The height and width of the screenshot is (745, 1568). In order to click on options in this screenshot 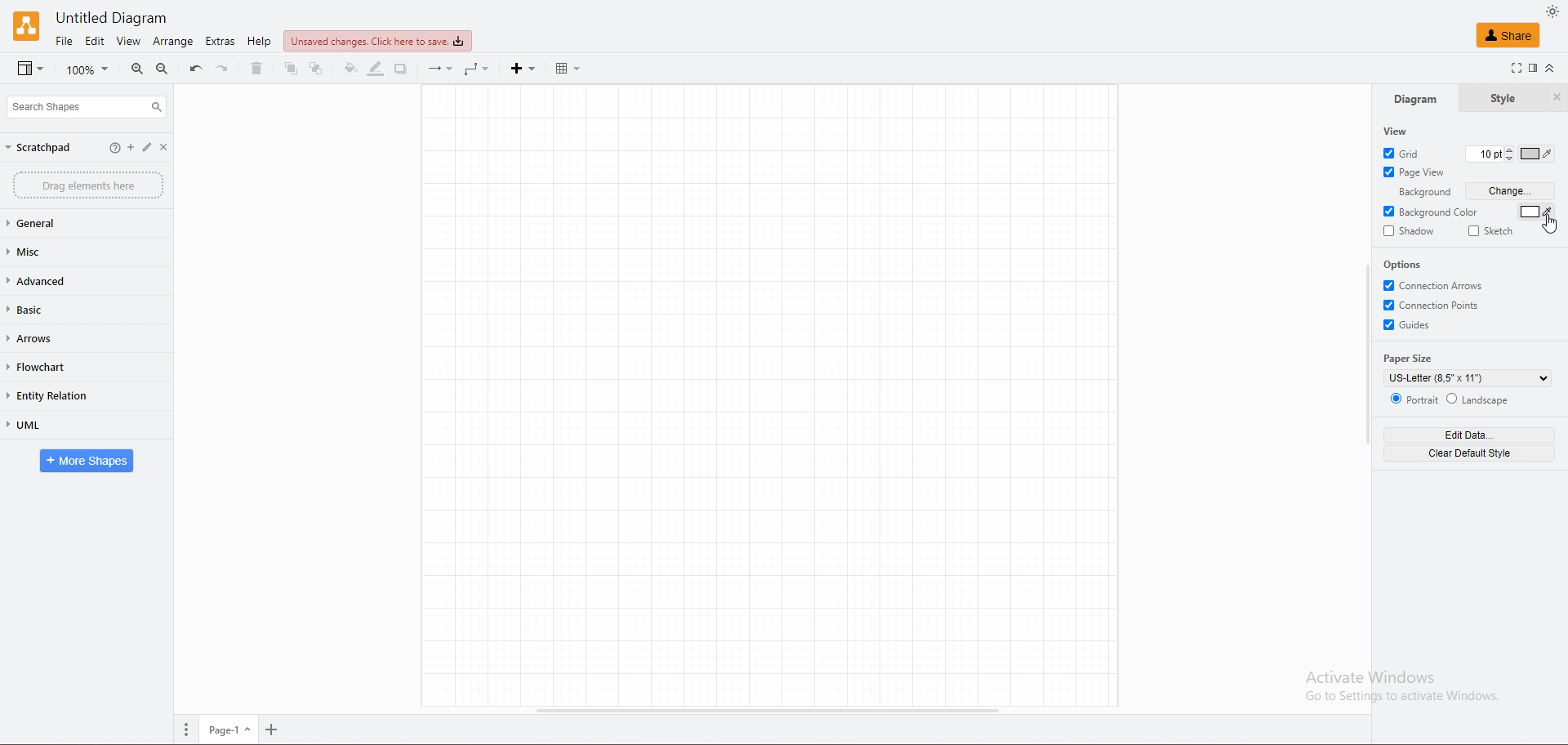, I will do `click(188, 732)`.